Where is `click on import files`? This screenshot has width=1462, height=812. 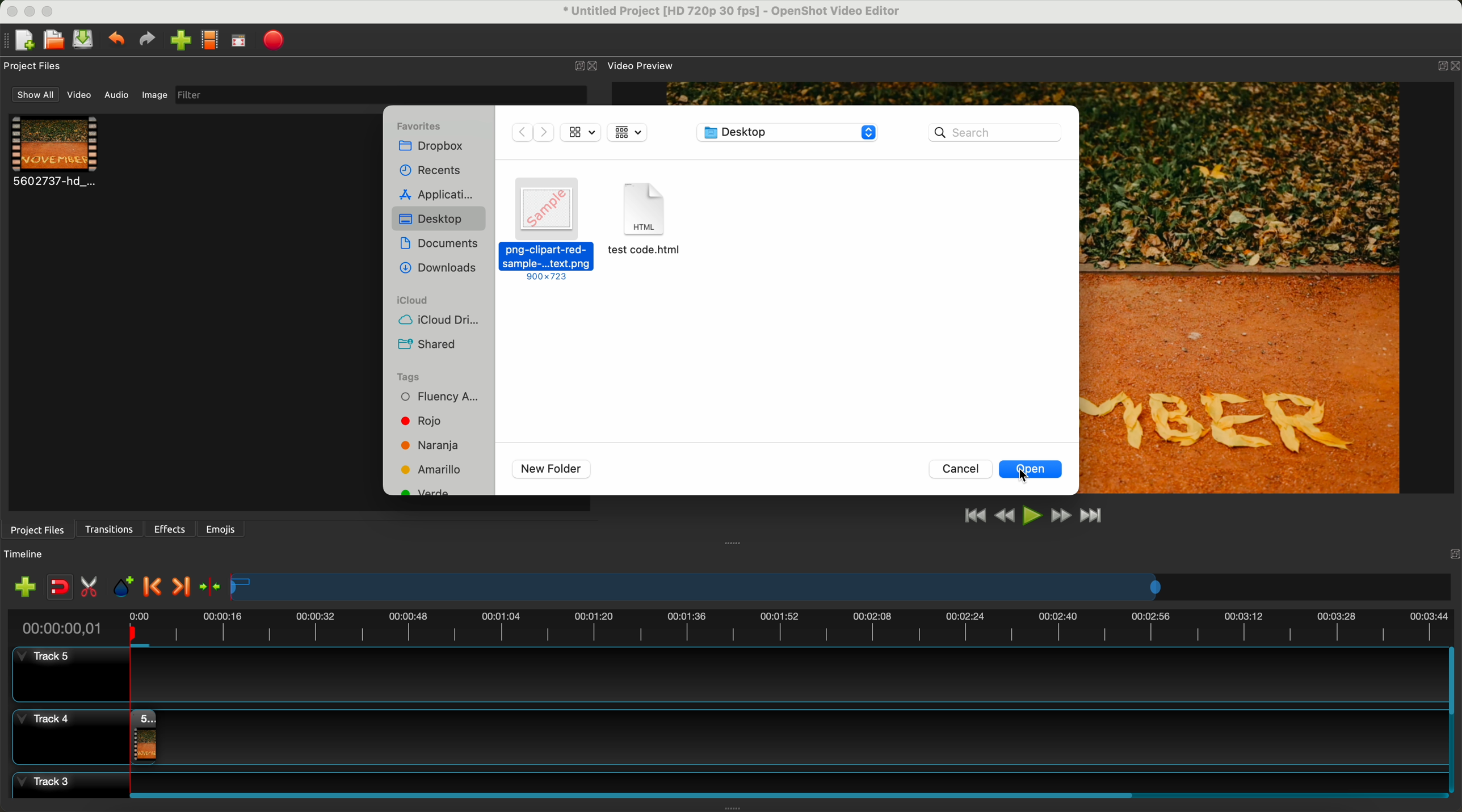
click on import files is located at coordinates (183, 41).